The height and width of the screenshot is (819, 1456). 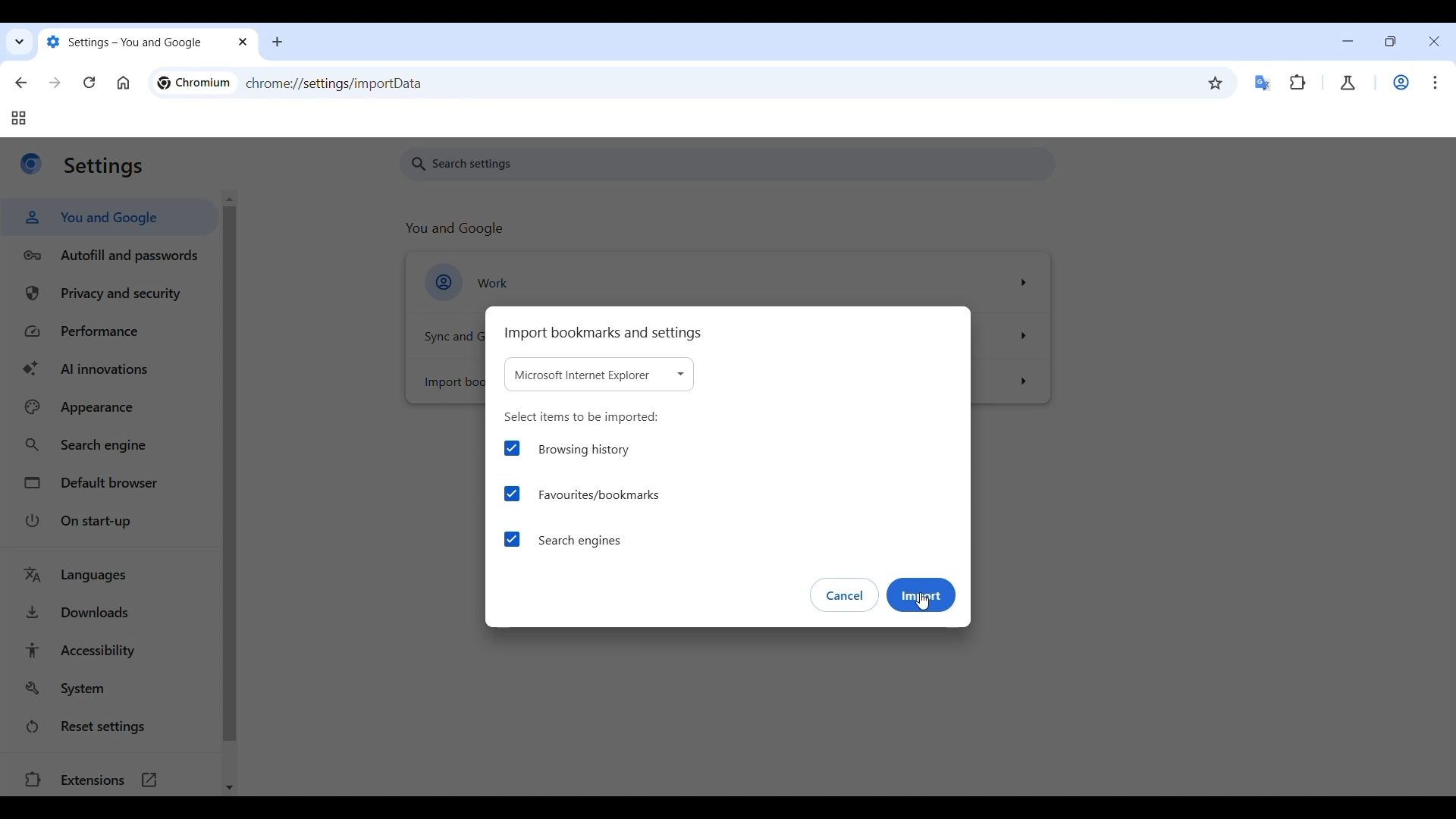 I want to click on Vertical slide bar, so click(x=229, y=474).